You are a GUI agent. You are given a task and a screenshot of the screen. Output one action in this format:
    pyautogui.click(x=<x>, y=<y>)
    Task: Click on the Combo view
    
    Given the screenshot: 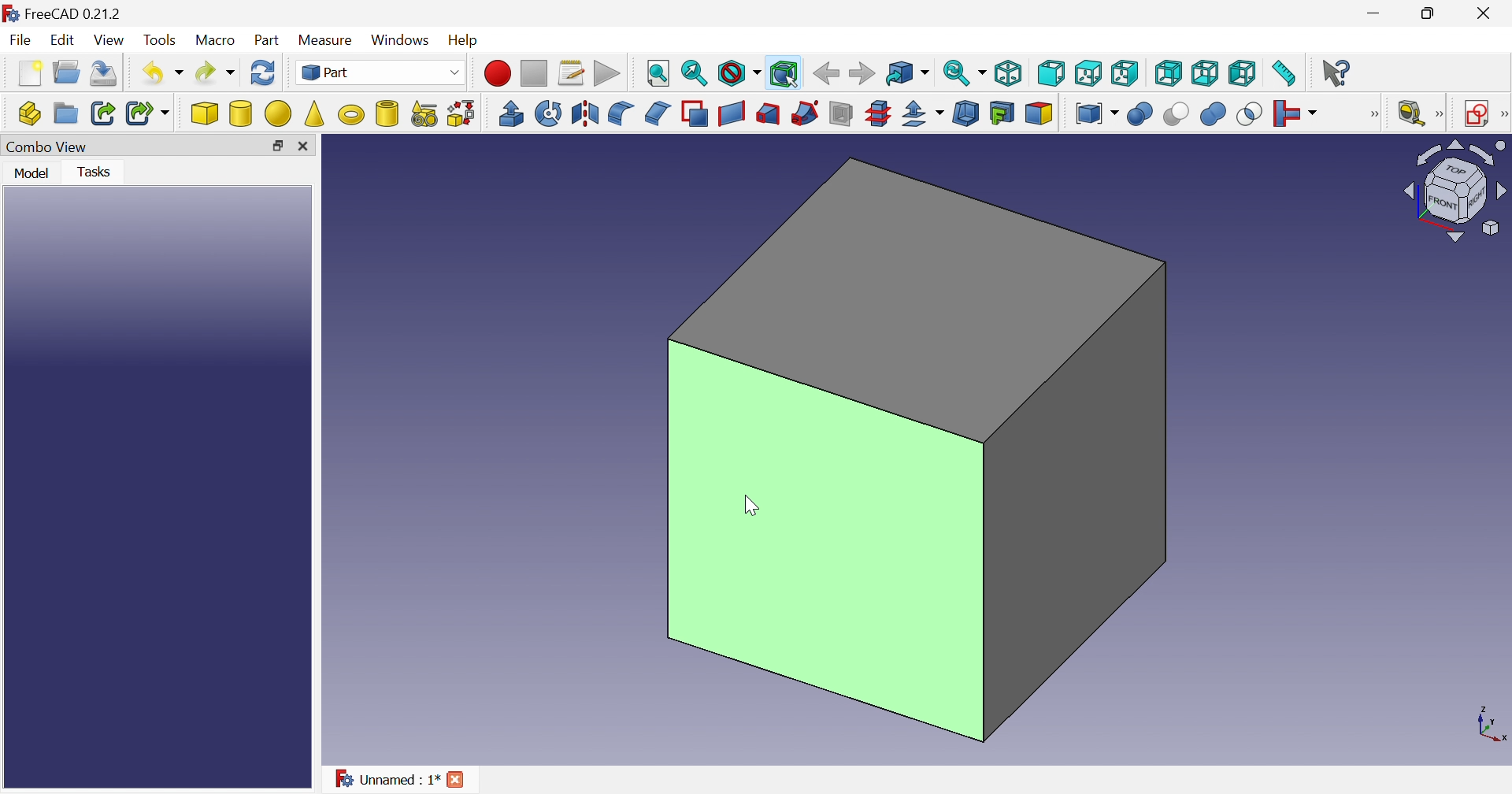 What is the action you would take?
    pyautogui.click(x=49, y=147)
    